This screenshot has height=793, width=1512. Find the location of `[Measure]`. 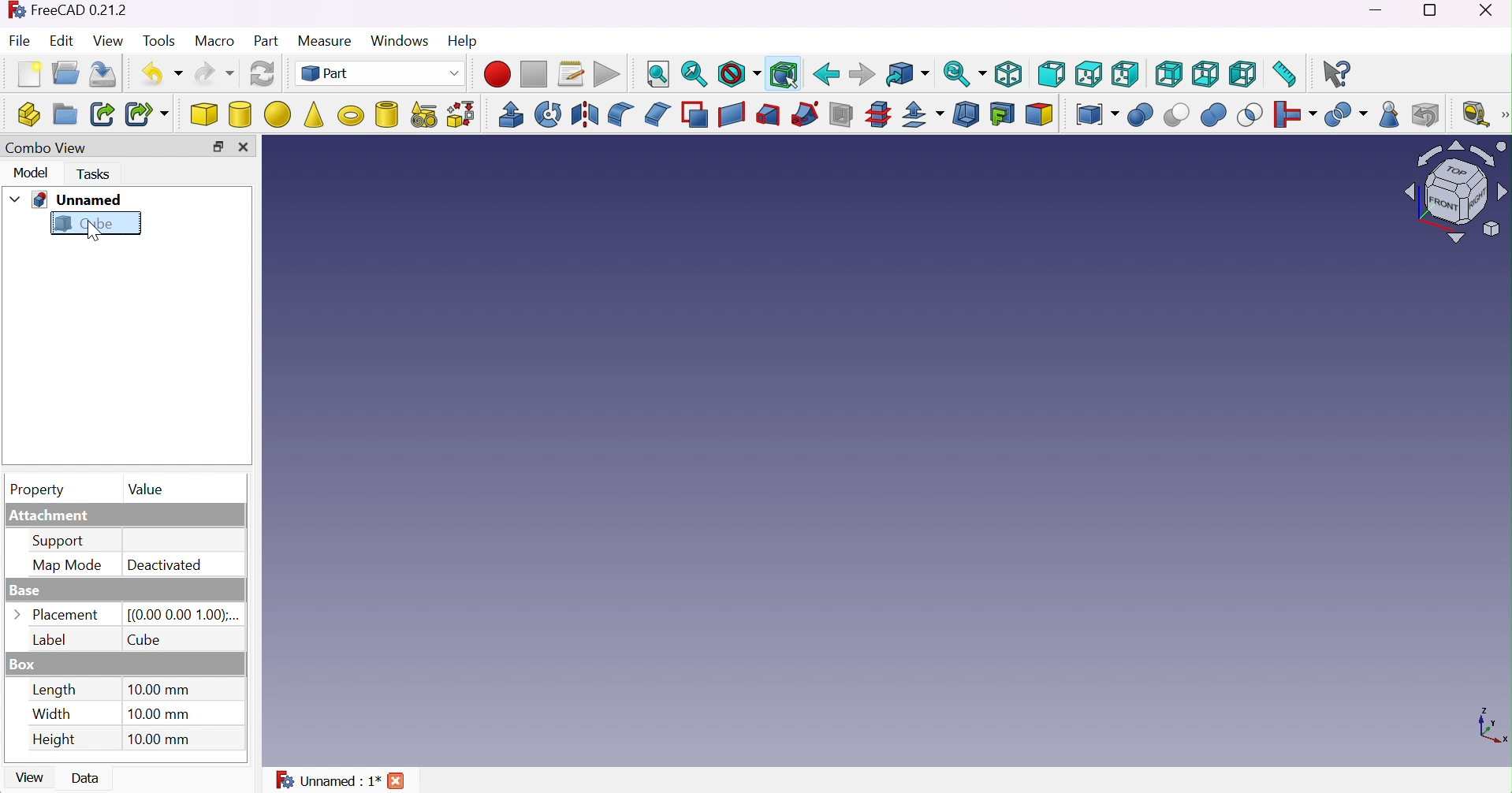

[Measure] is located at coordinates (1503, 114).